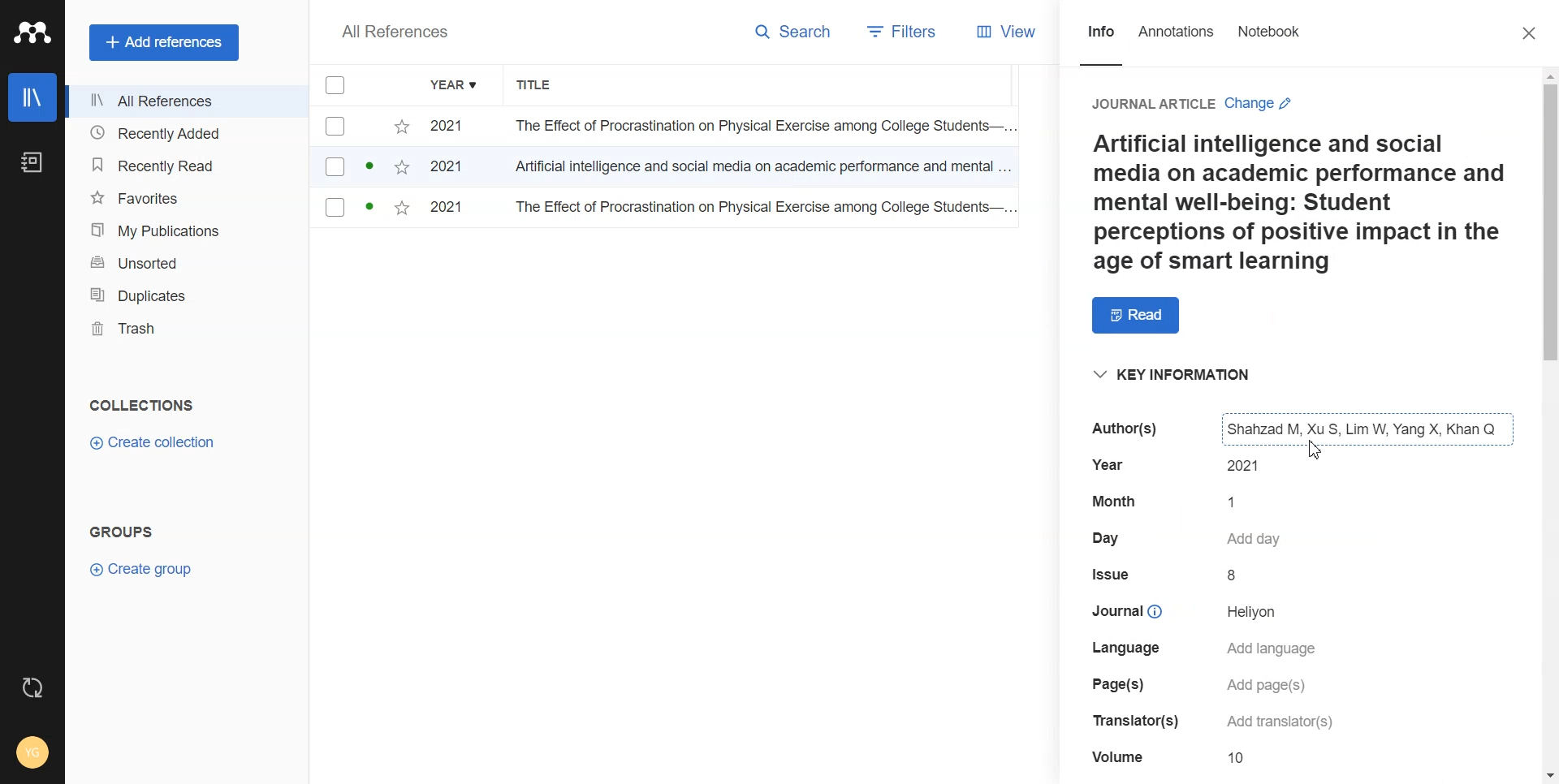 The width and height of the screenshot is (1559, 784). I want to click on GROUPS, so click(120, 530).